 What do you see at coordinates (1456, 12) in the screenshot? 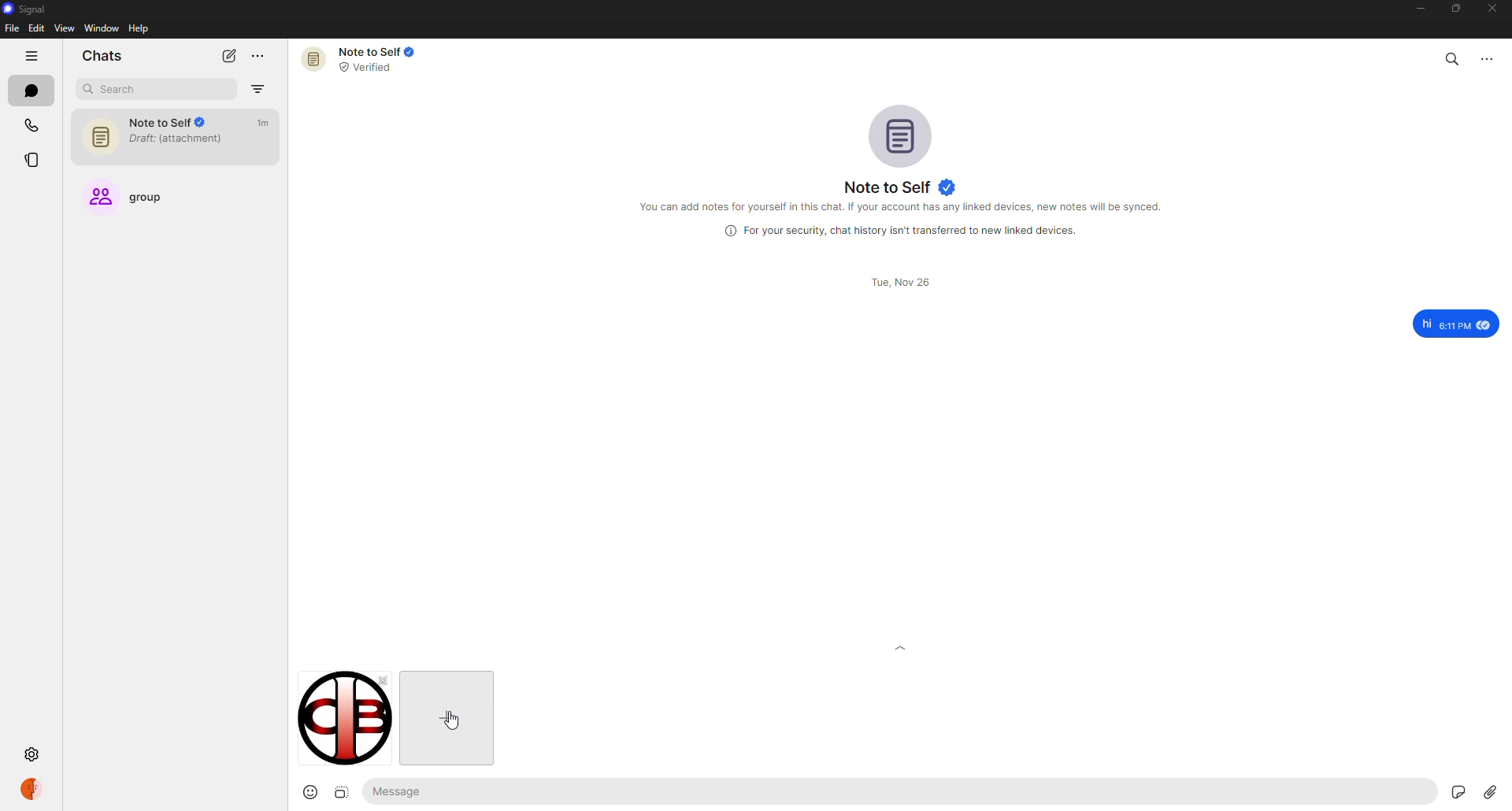
I see `maximize` at bounding box center [1456, 12].